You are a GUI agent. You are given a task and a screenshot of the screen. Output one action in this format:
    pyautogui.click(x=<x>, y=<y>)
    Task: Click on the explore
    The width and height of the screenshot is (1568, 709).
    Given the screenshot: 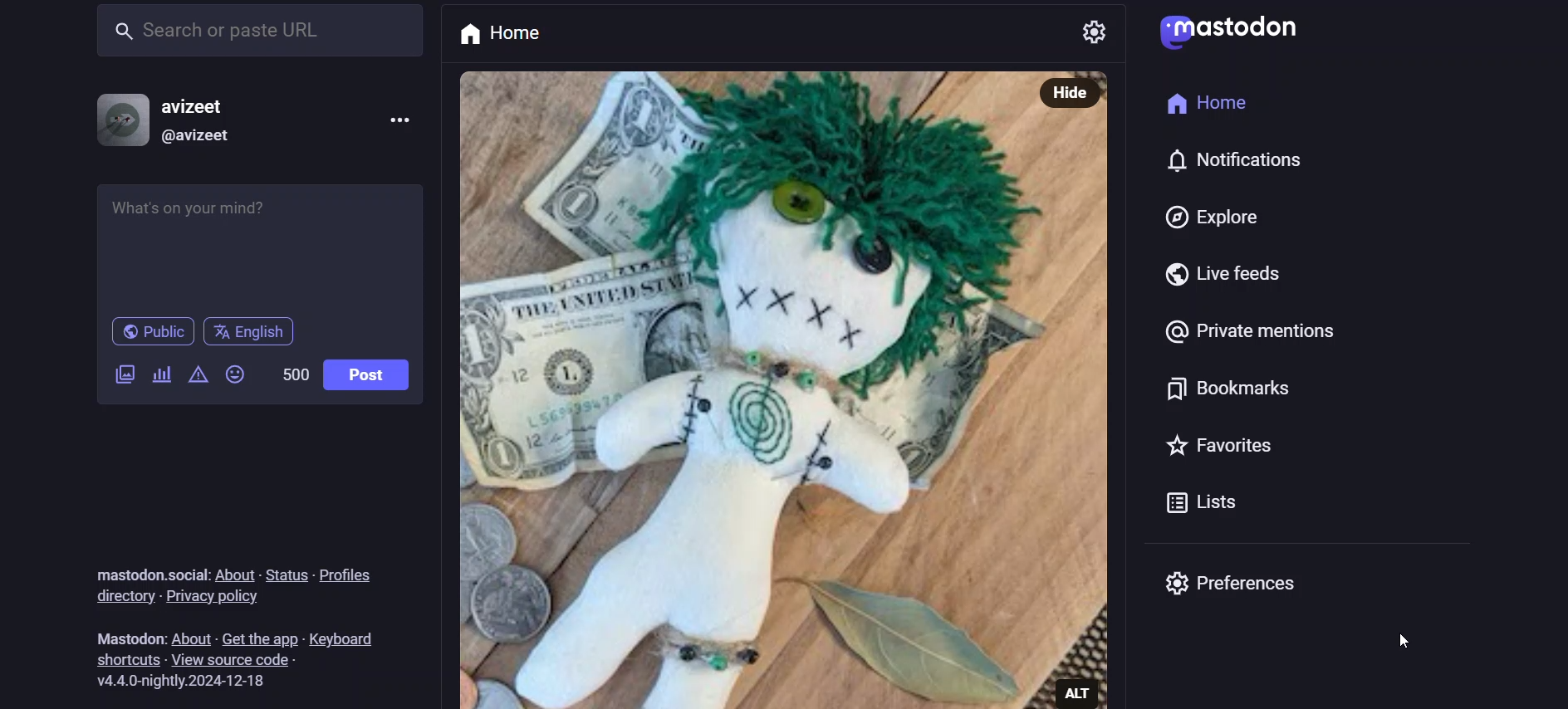 What is the action you would take?
    pyautogui.click(x=1212, y=216)
    